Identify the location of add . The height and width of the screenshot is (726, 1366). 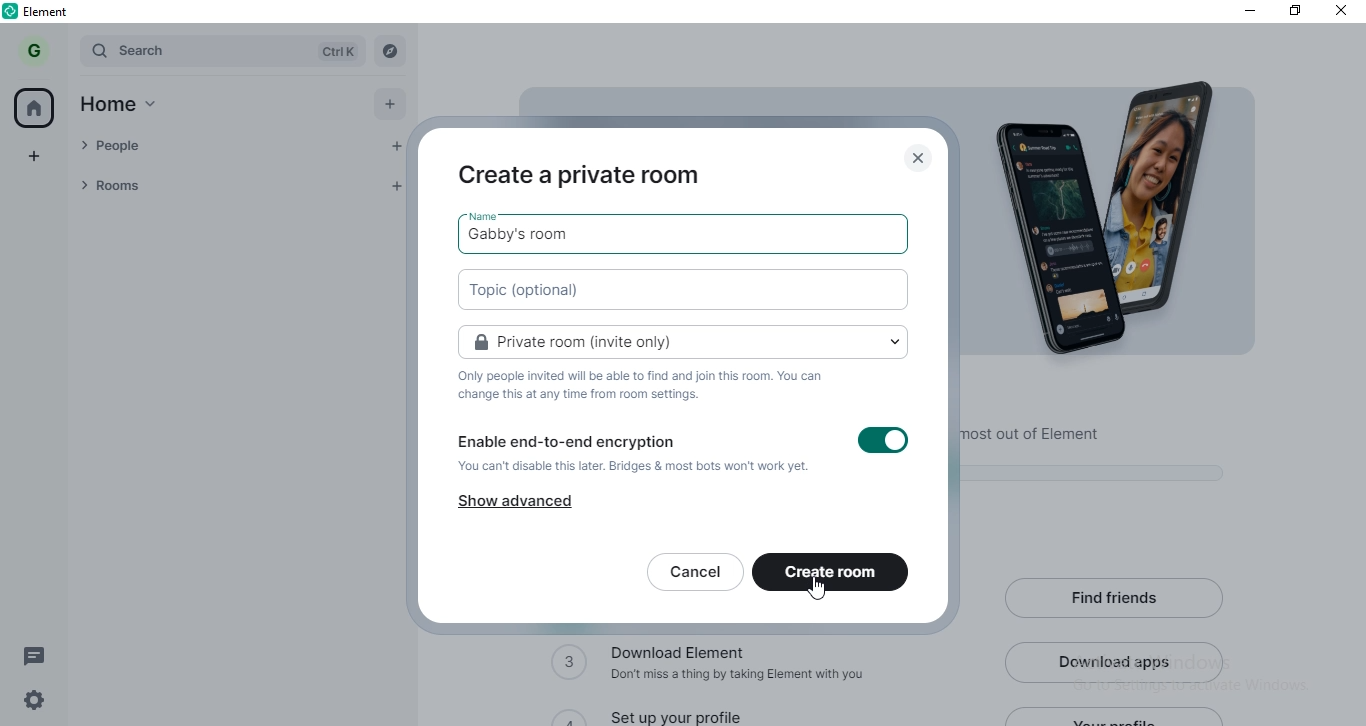
(394, 105).